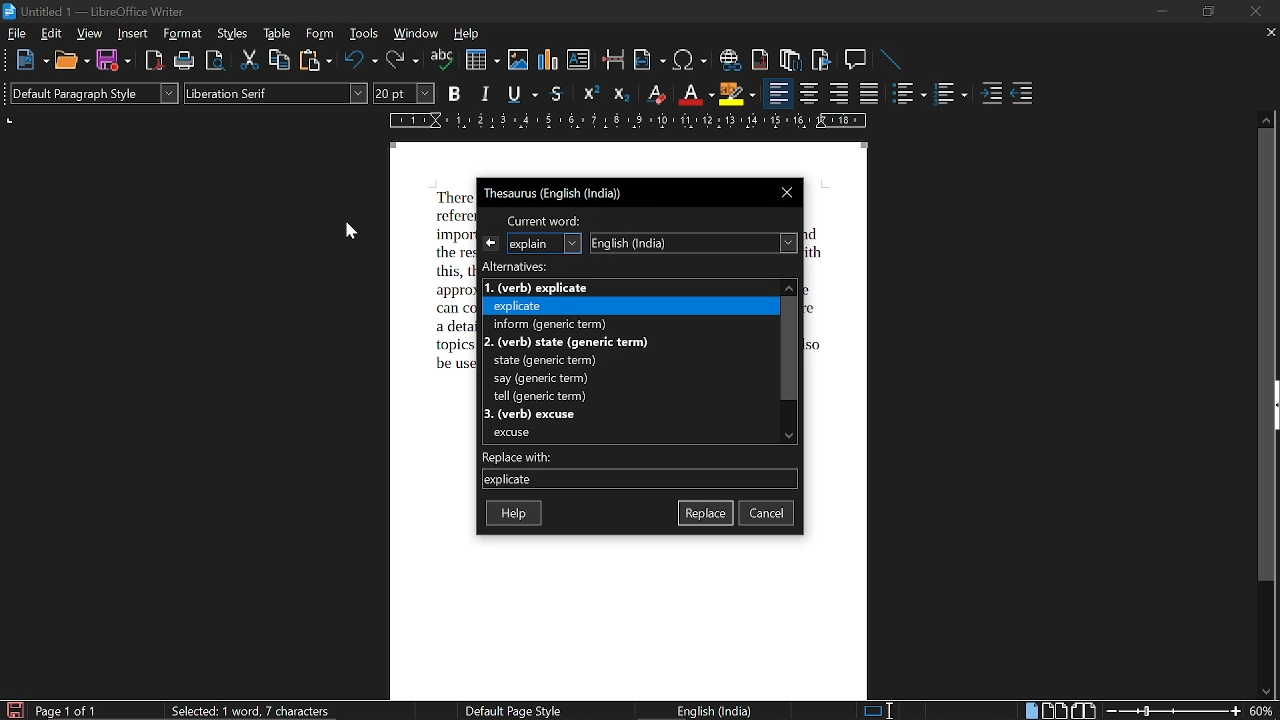 This screenshot has width=1280, height=720. Describe the element at coordinates (1054, 711) in the screenshot. I see `multiple page view` at that location.